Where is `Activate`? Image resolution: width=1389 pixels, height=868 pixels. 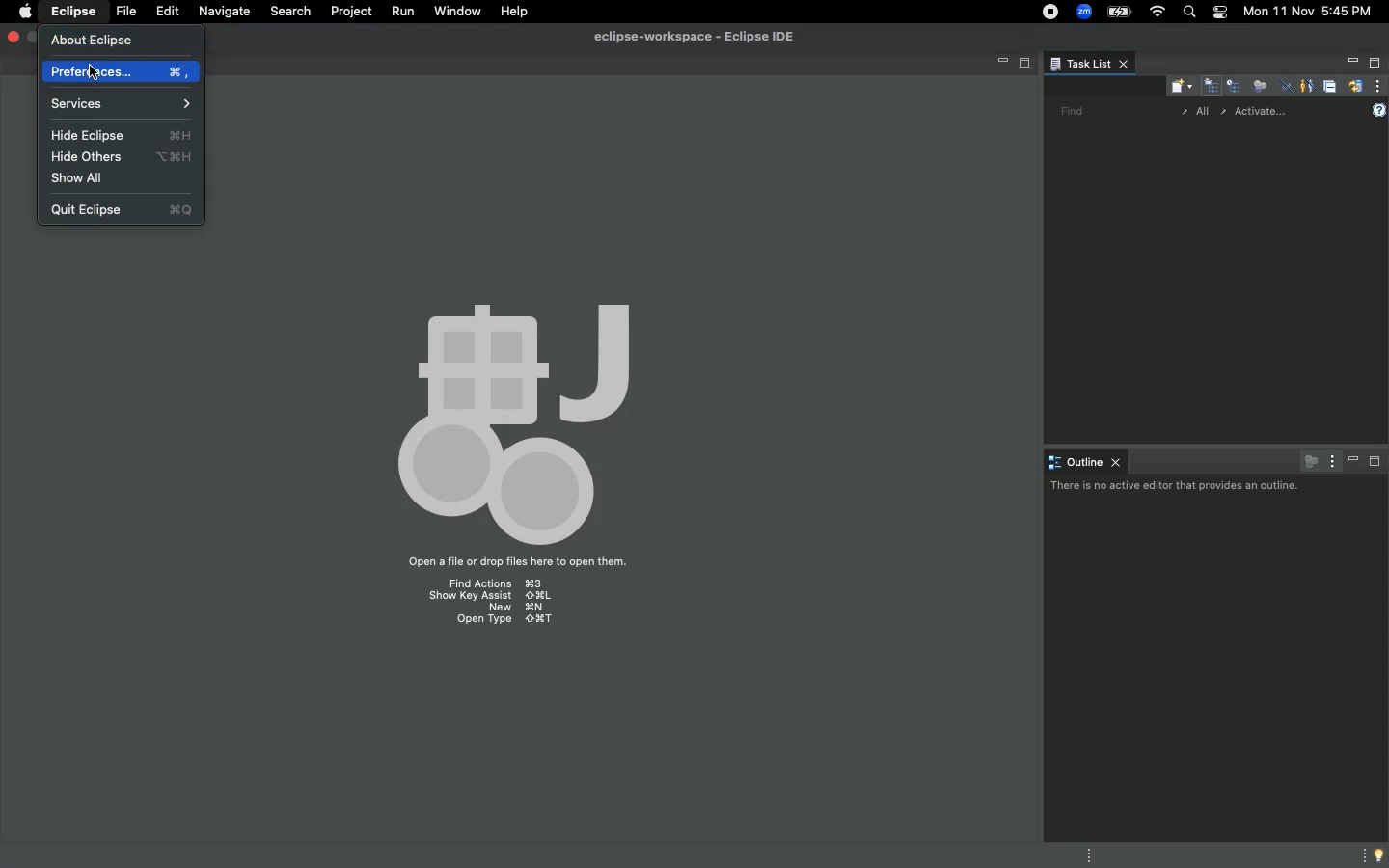 Activate is located at coordinates (1267, 108).